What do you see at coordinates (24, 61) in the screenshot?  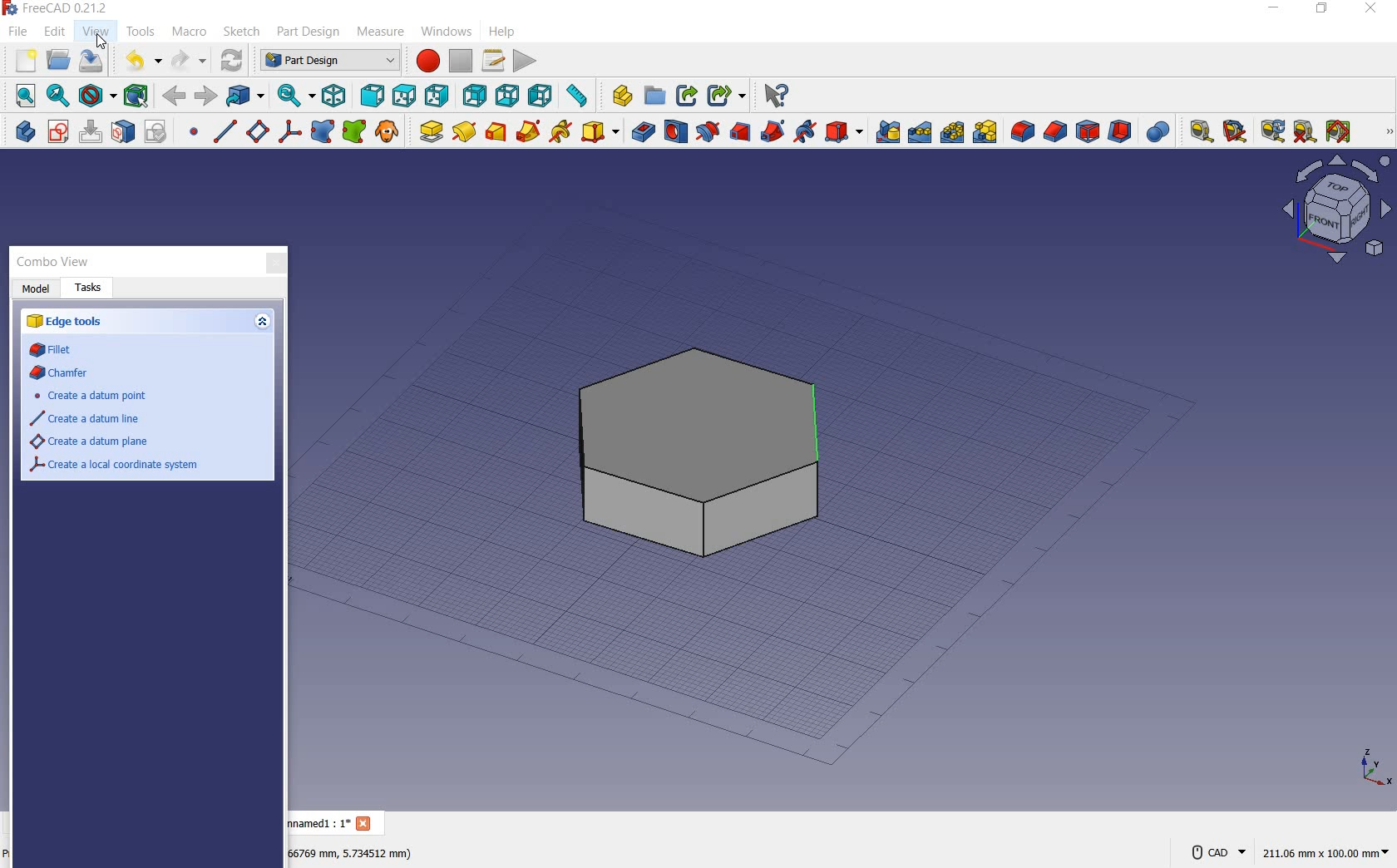 I see `new` at bounding box center [24, 61].